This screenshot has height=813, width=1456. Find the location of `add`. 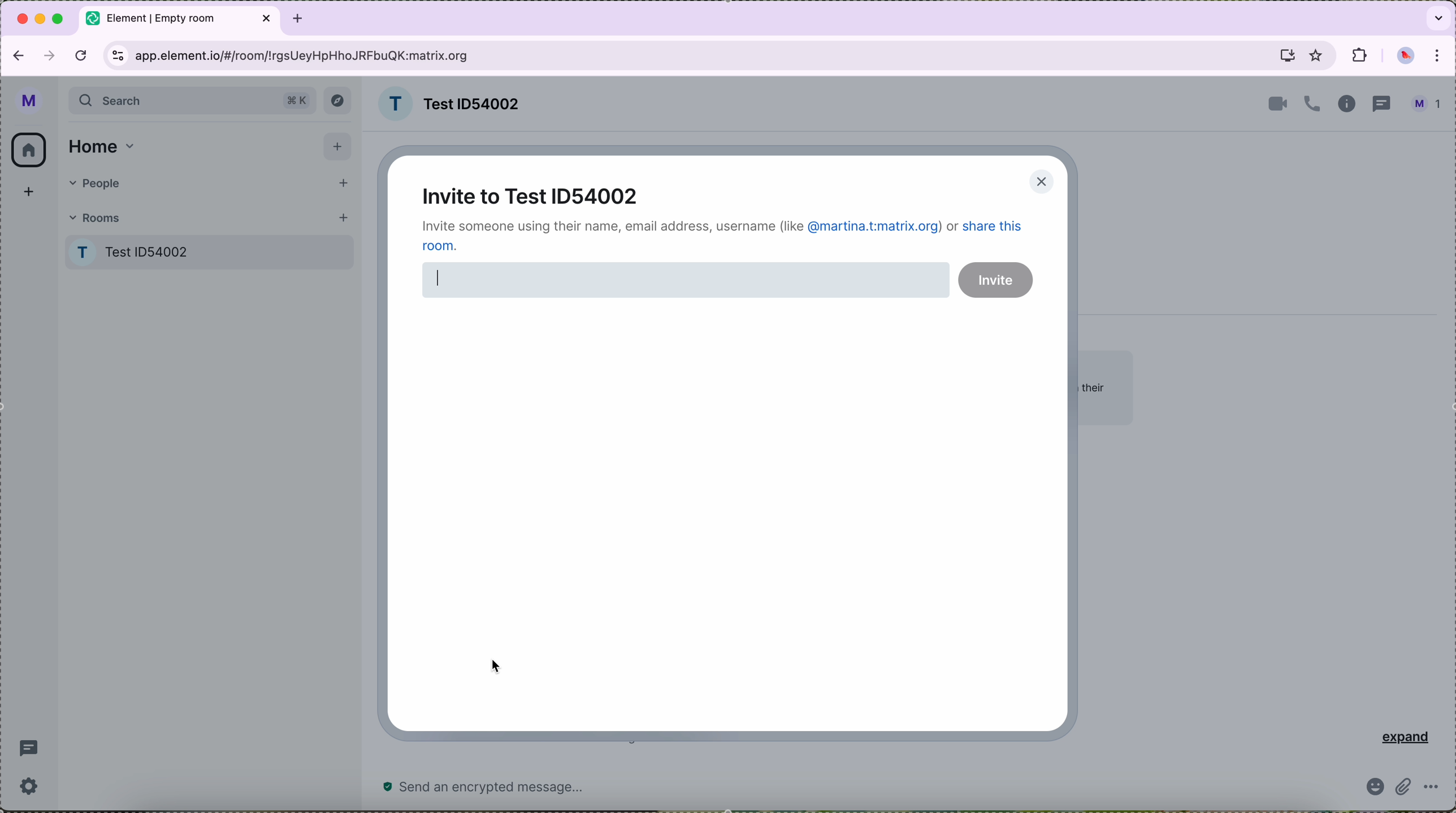

add is located at coordinates (28, 193).